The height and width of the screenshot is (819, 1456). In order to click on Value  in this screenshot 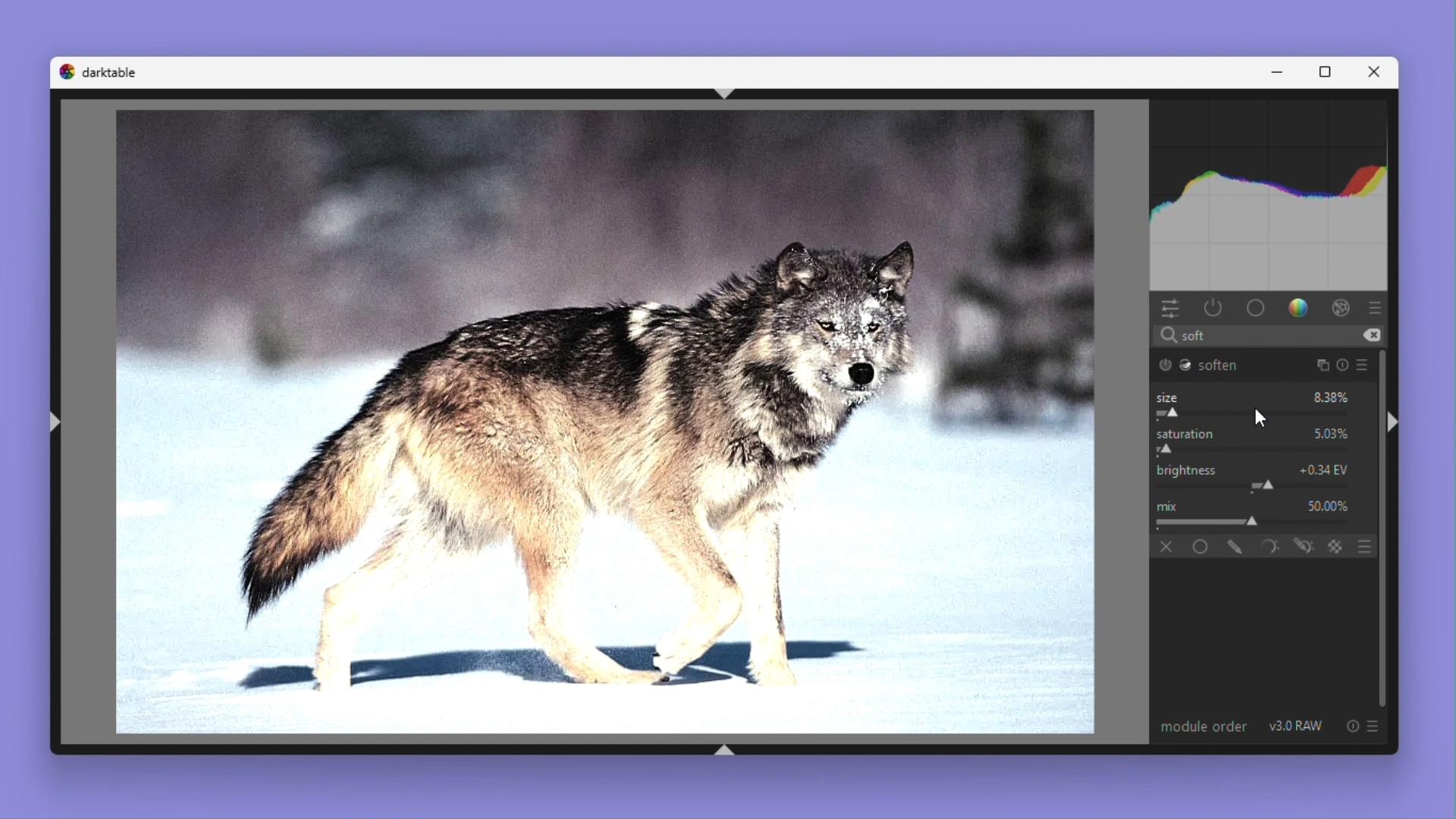, I will do `click(1332, 397)`.